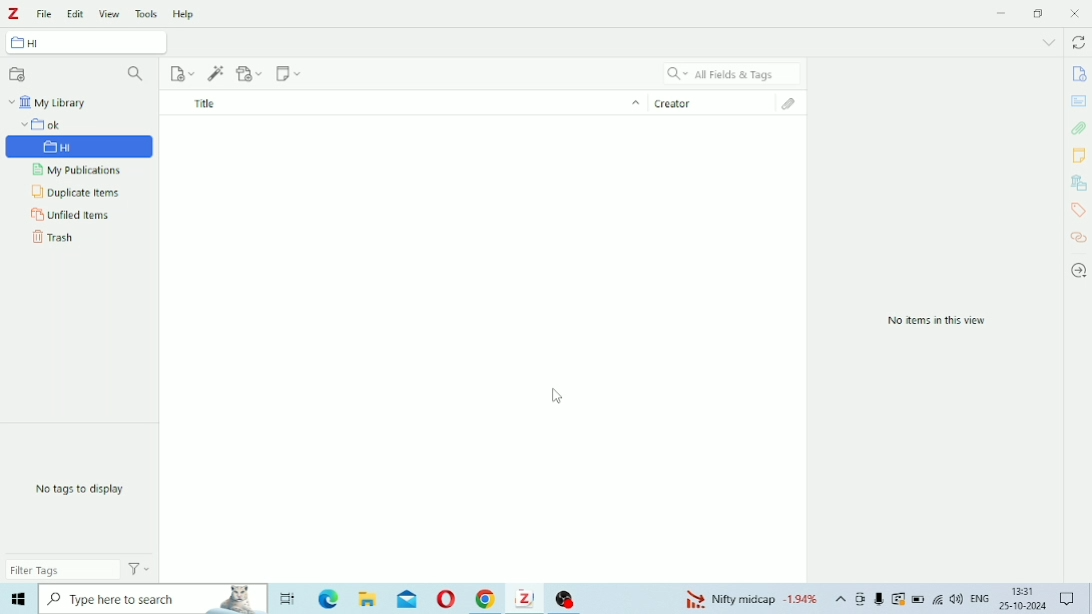 The image size is (1092, 614). Describe the element at coordinates (45, 14) in the screenshot. I see `File` at that location.